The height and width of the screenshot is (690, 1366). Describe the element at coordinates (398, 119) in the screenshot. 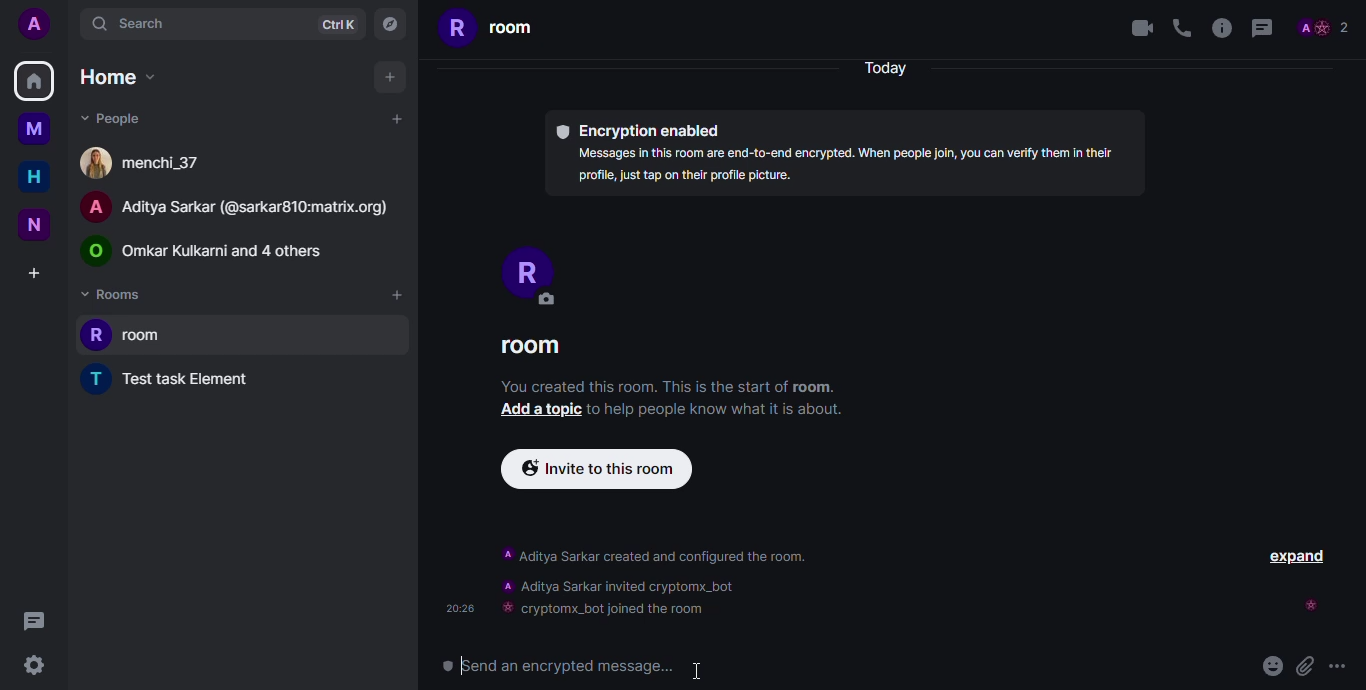

I see `add` at that location.